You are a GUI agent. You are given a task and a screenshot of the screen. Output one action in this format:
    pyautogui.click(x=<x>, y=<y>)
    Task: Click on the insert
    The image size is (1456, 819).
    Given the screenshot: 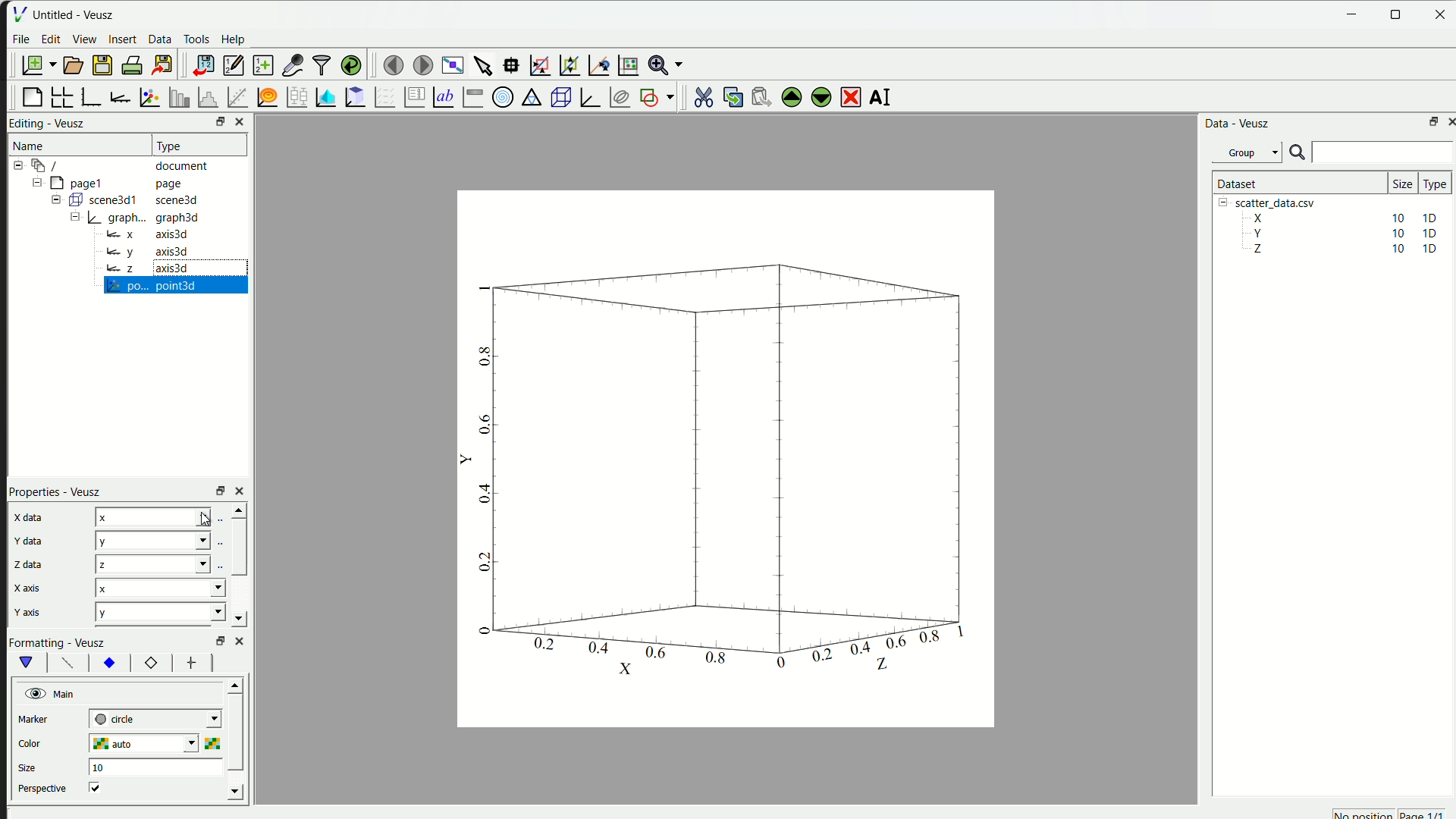 What is the action you would take?
    pyautogui.click(x=122, y=40)
    